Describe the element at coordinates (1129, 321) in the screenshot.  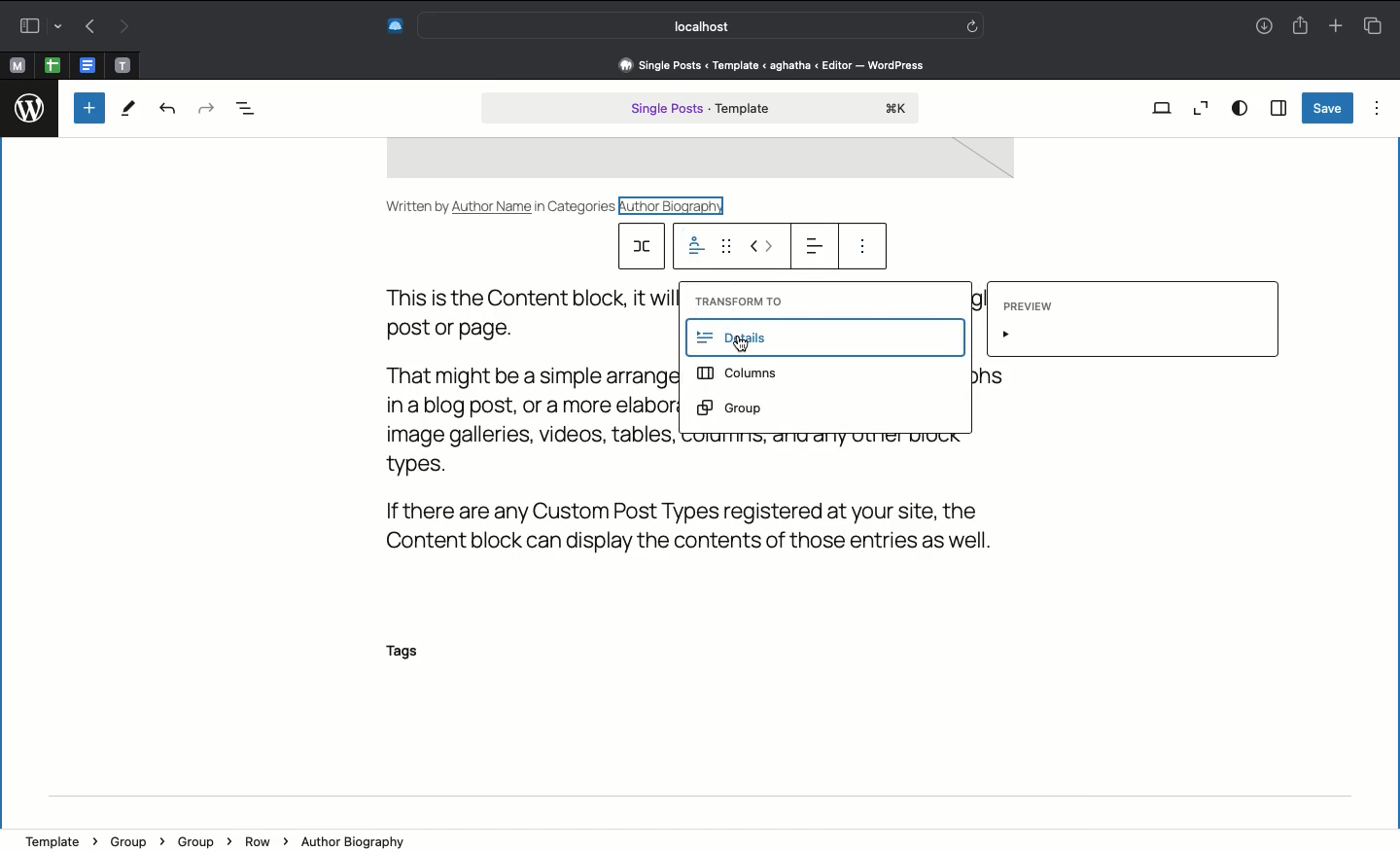
I see `Preview` at that location.